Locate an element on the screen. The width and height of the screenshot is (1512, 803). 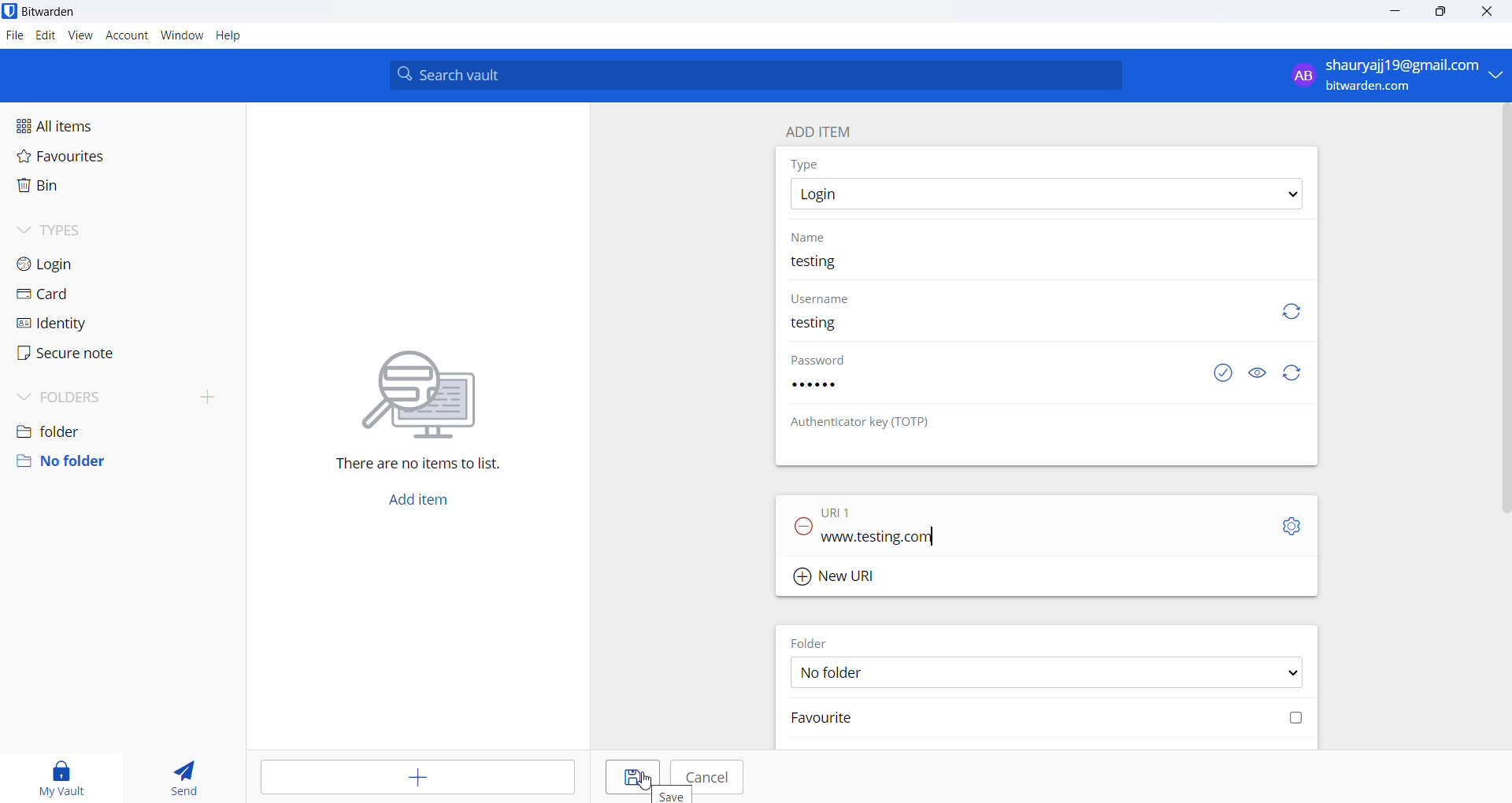
password is located at coordinates (826, 361).